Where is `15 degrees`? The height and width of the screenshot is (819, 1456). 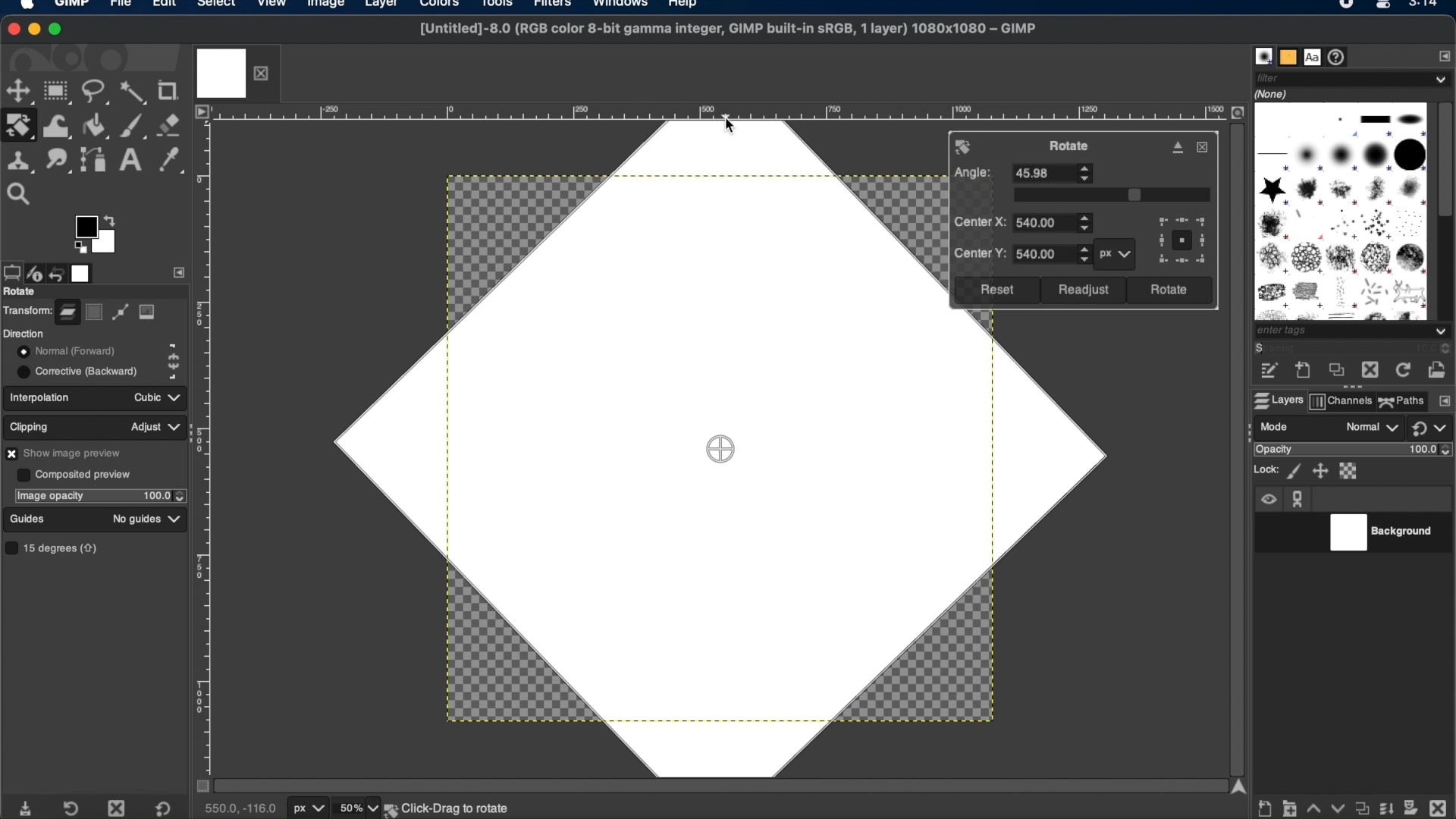 15 degrees is located at coordinates (55, 548).